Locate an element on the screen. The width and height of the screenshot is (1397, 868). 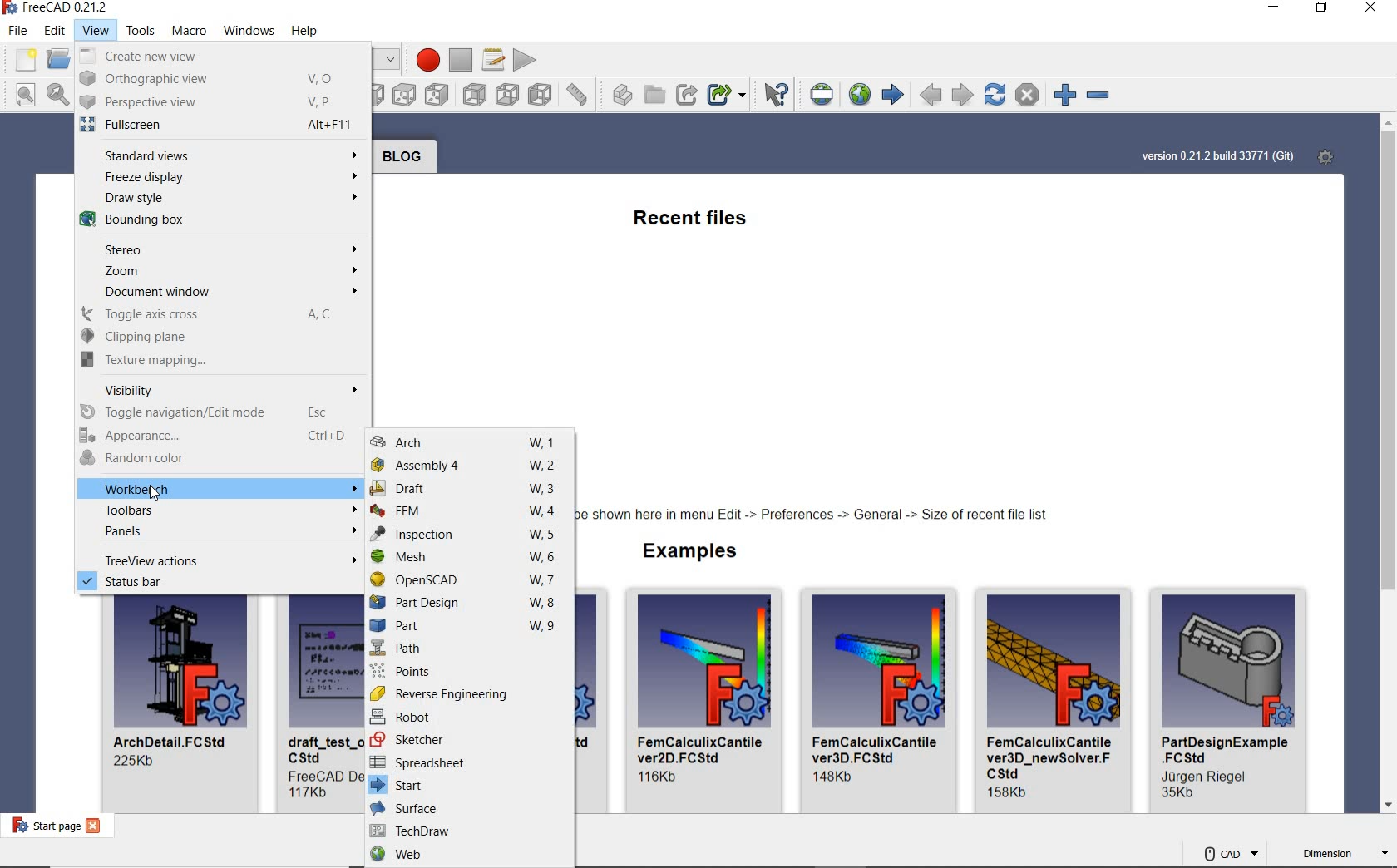
web is located at coordinates (465, 857).